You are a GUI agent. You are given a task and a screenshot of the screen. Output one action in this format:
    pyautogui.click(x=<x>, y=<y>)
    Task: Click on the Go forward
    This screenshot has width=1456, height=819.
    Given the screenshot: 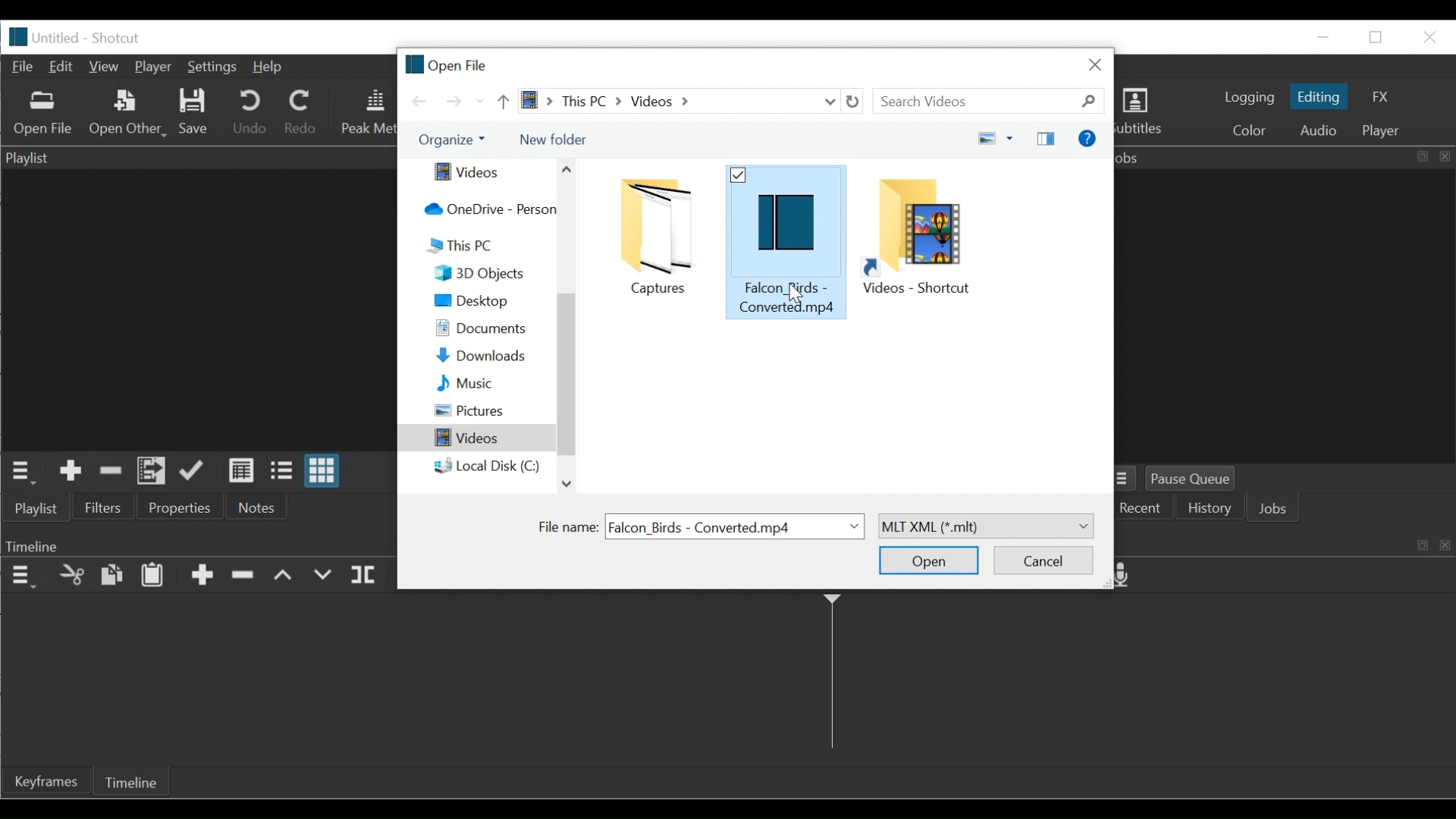 What is the action you would take?
    pyautogui.click(x=453, y=102)
    